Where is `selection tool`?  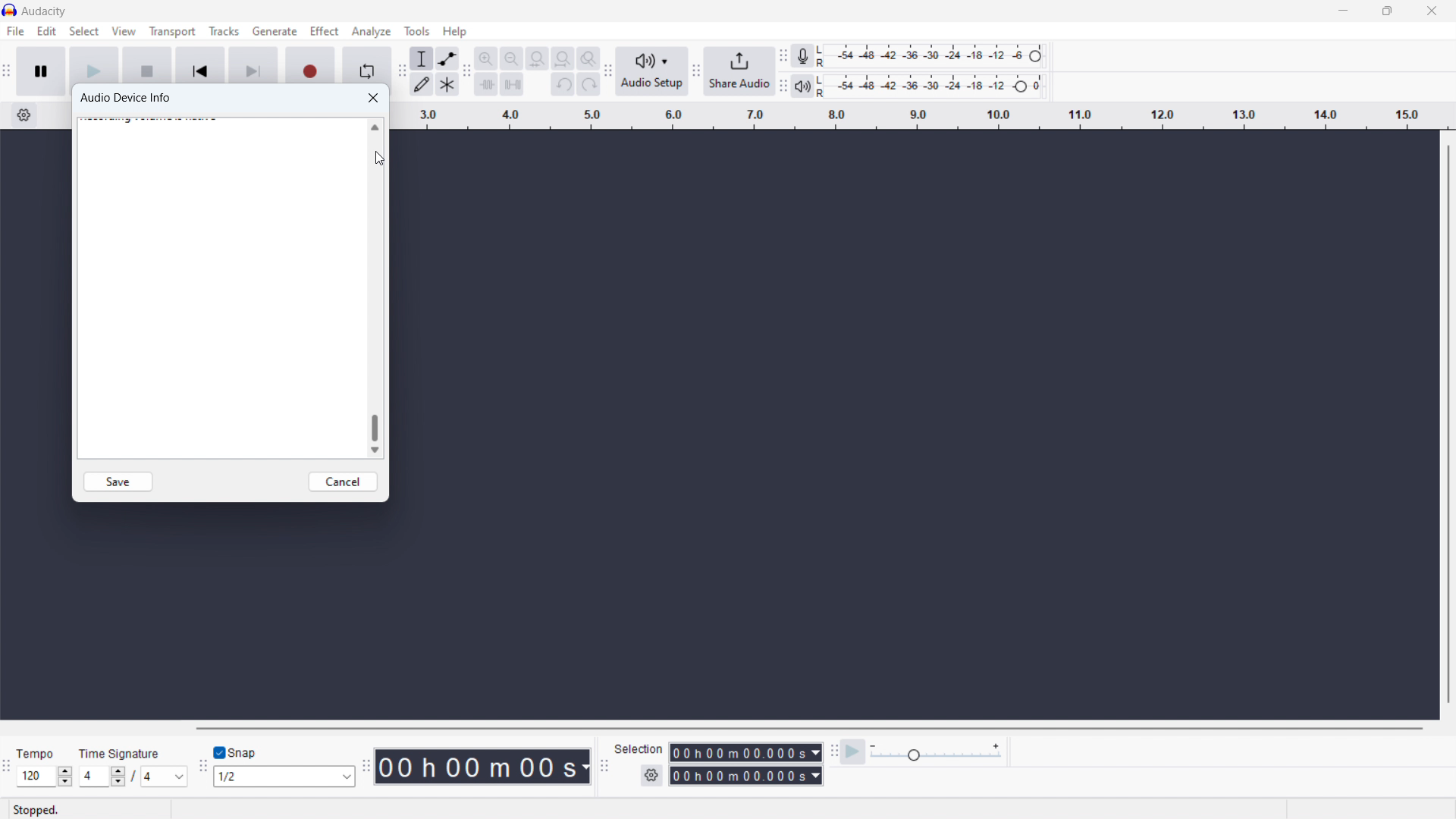
selection tool is located at coordinates (422, 58).